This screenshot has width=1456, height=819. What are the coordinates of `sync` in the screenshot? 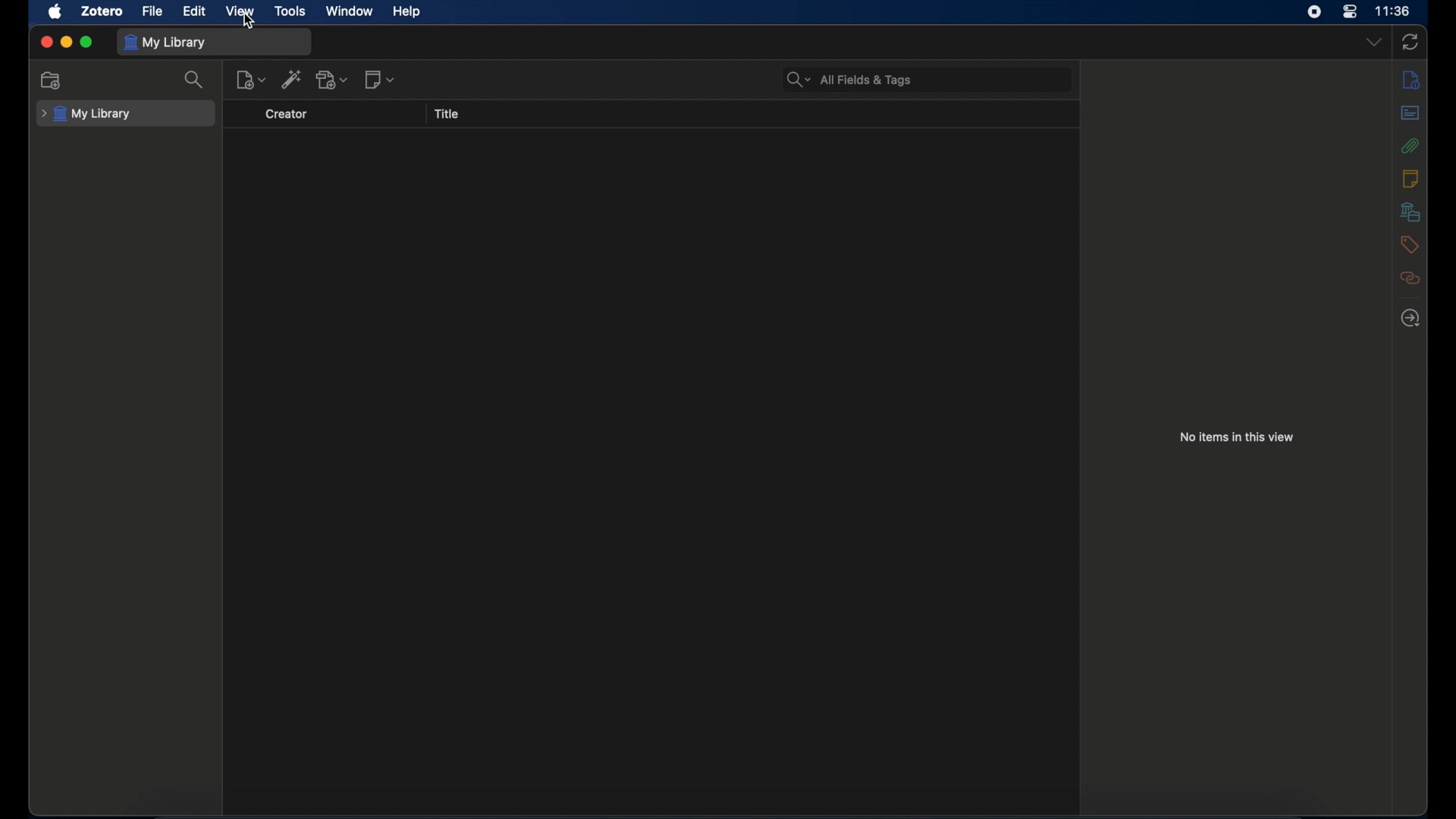 It's located at (1409, 42).